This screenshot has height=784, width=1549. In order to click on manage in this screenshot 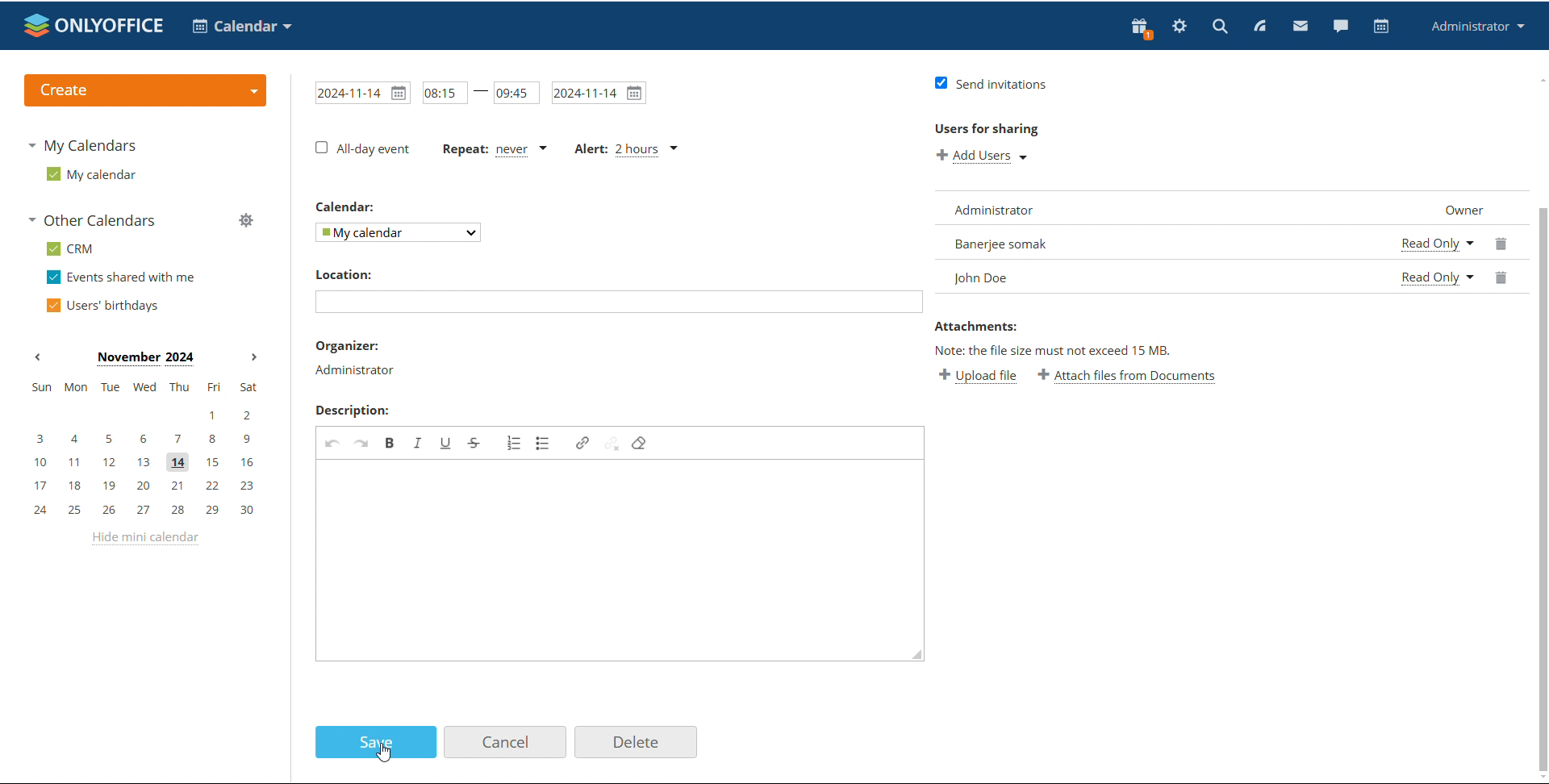, I will do `click(246, 220)`.